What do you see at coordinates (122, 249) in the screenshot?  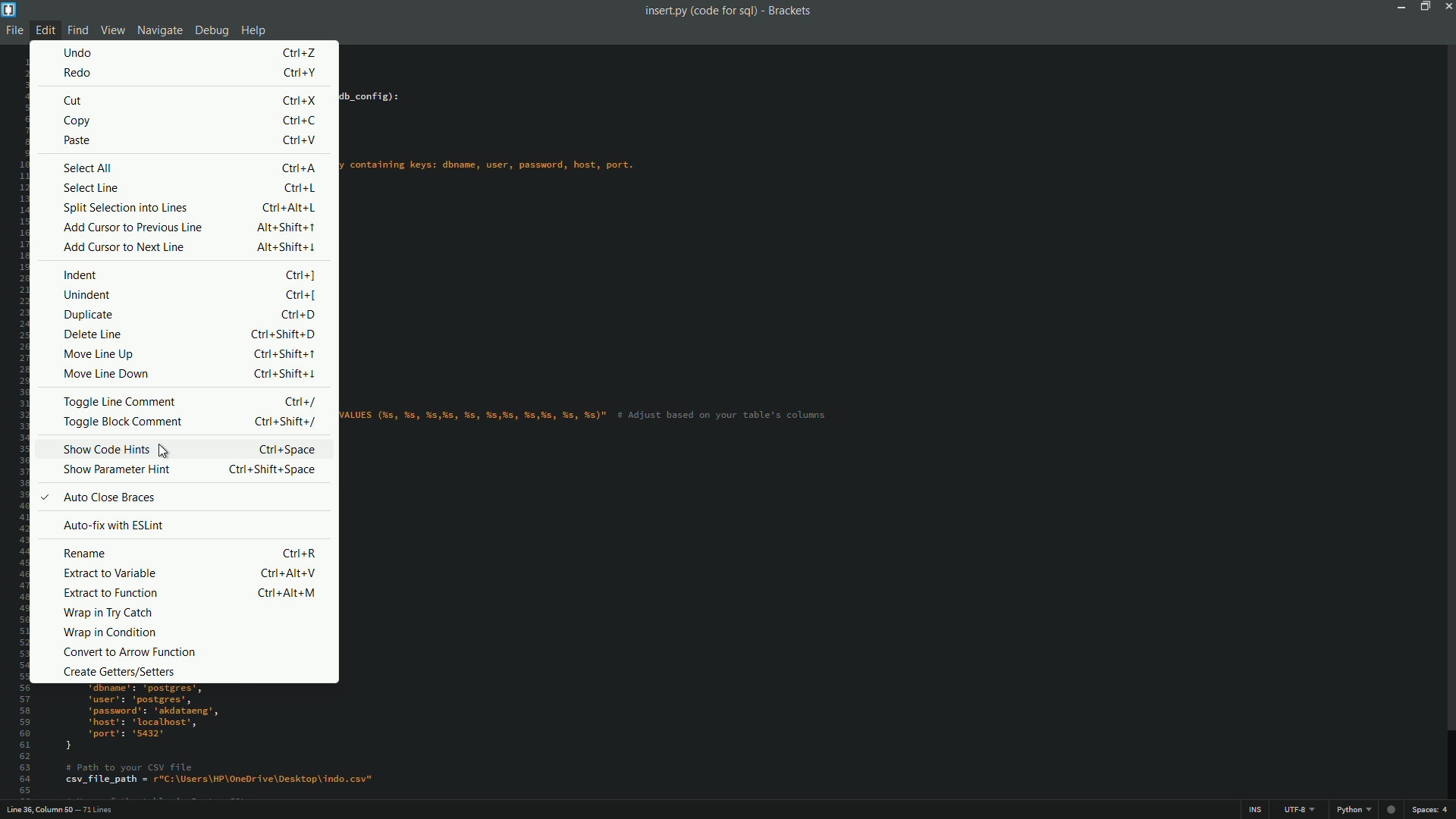 I see `add cursor to next line` at bounding box center [122, 249].